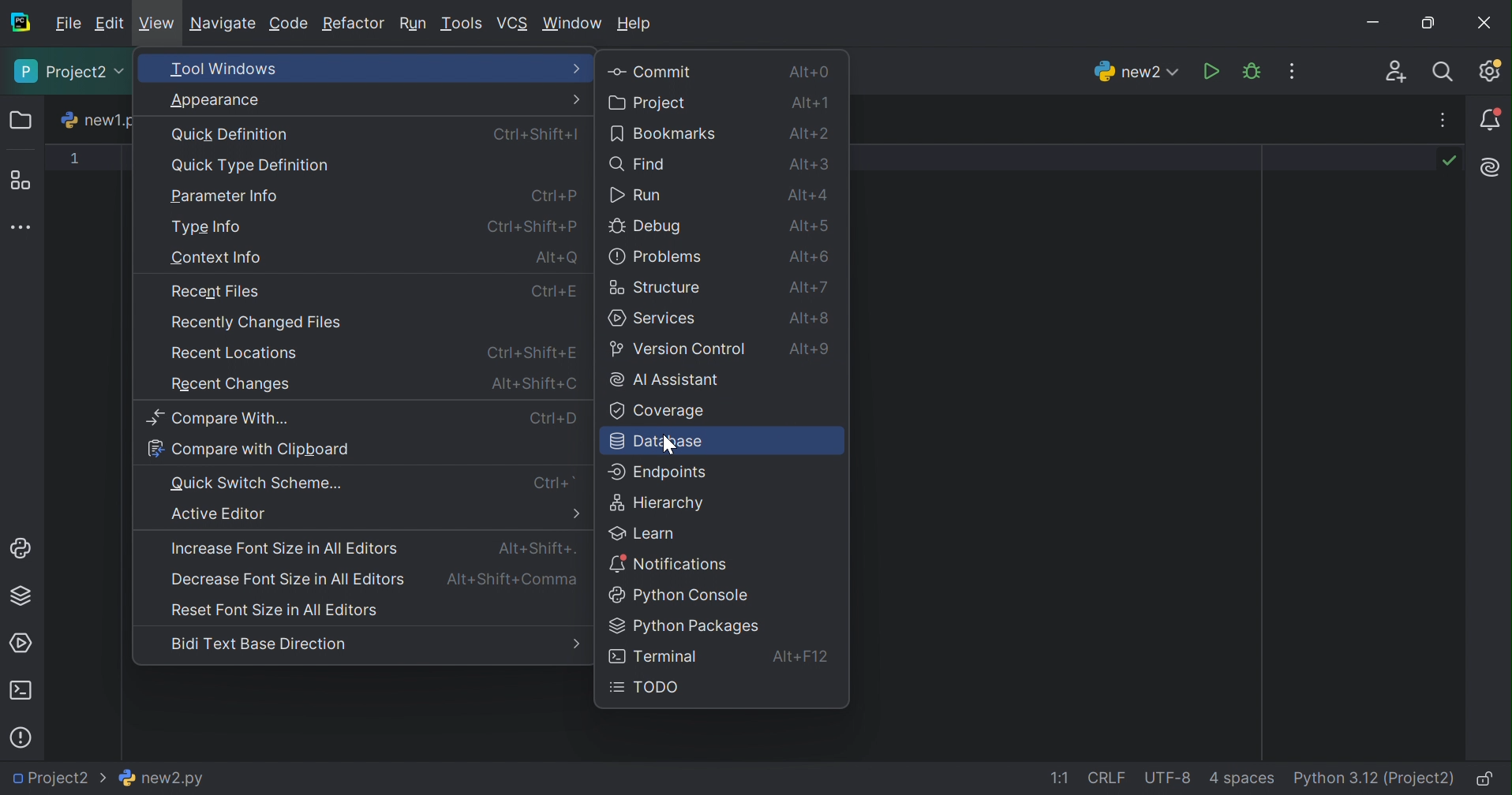 The width and height of the screenshot is (1512, 795). What do you see at coordinates (646, 228) in the screenshot?
I see `Debug` at bounding box center [646, 228].